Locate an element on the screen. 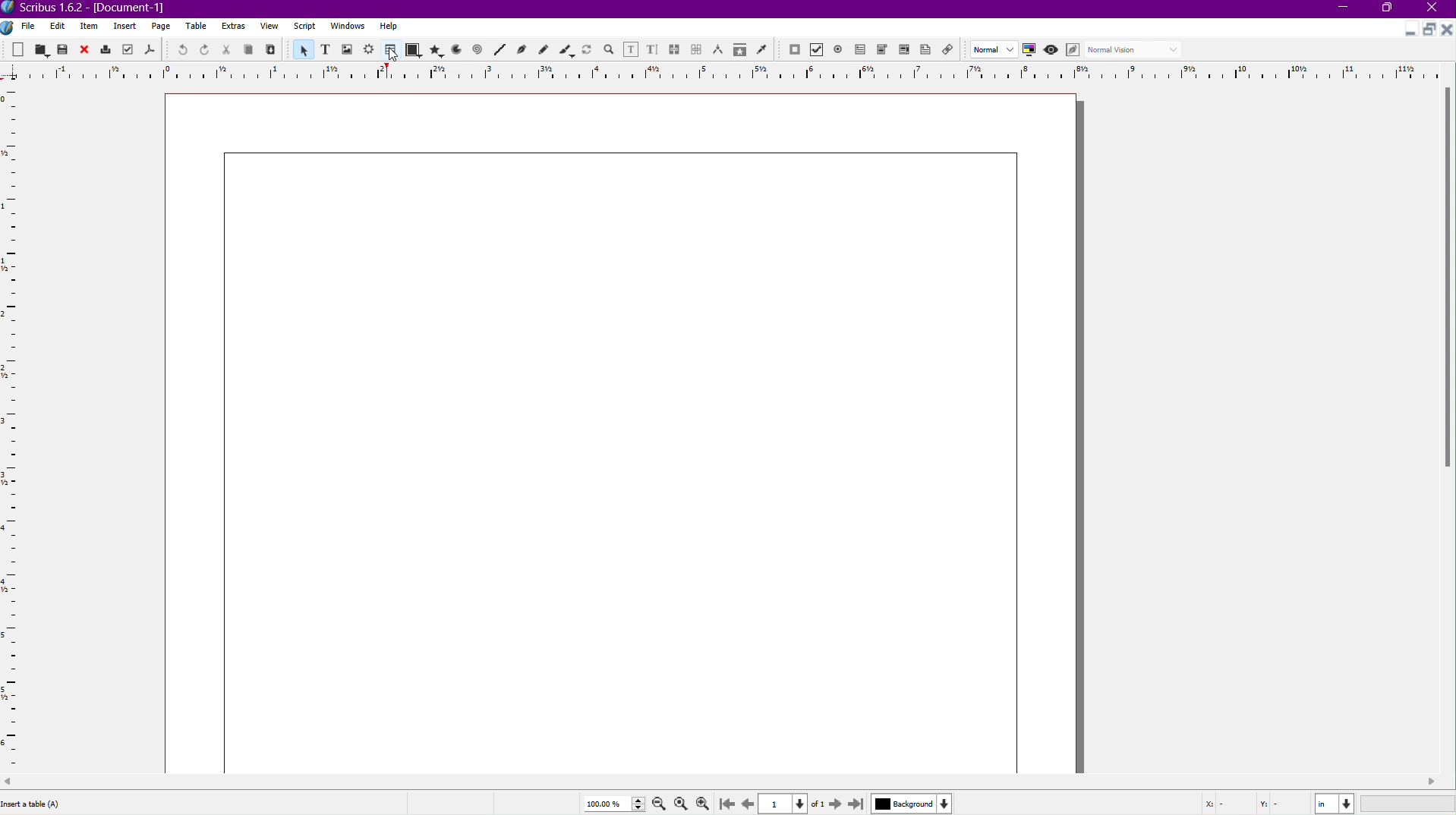 The image size is (1456, 815). PDF Combo Box is located at coordinates (884, 51).